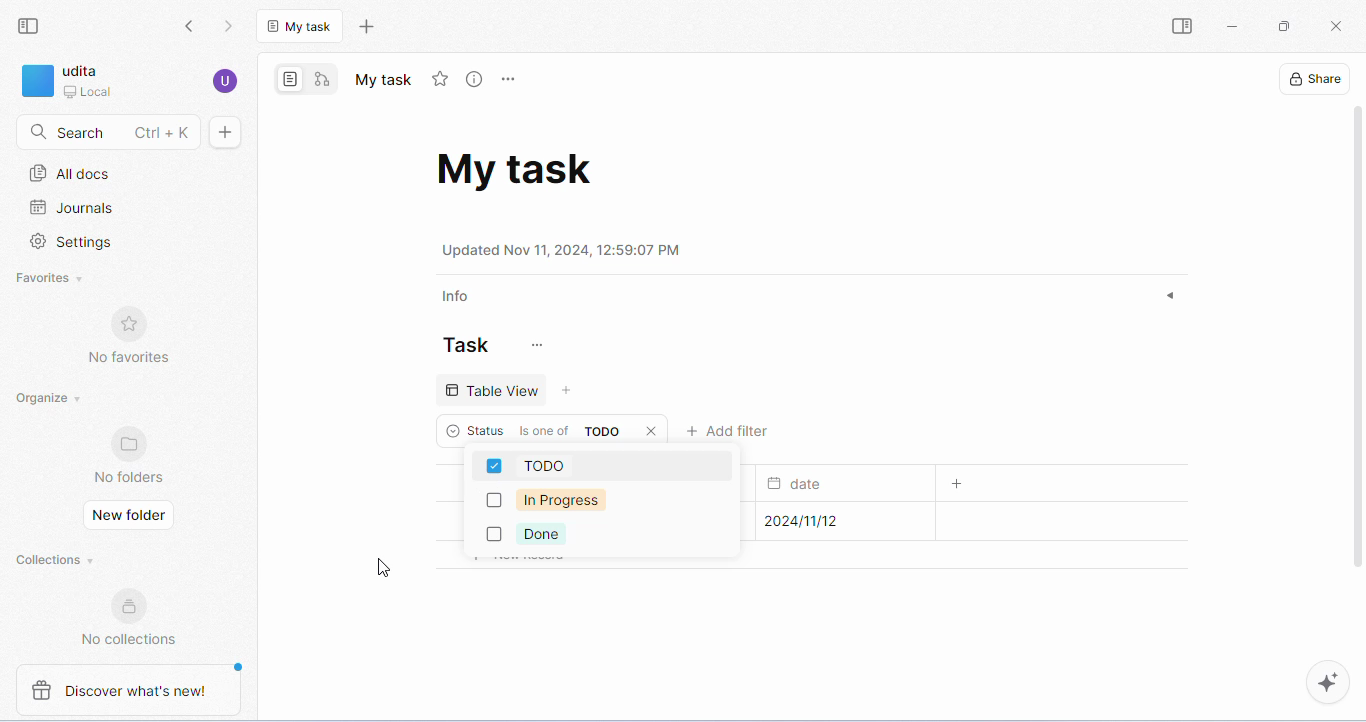  What do you see at coordinates (542, 430) in the screenshot?
I see `criteria` at bounding box center [542, 430].